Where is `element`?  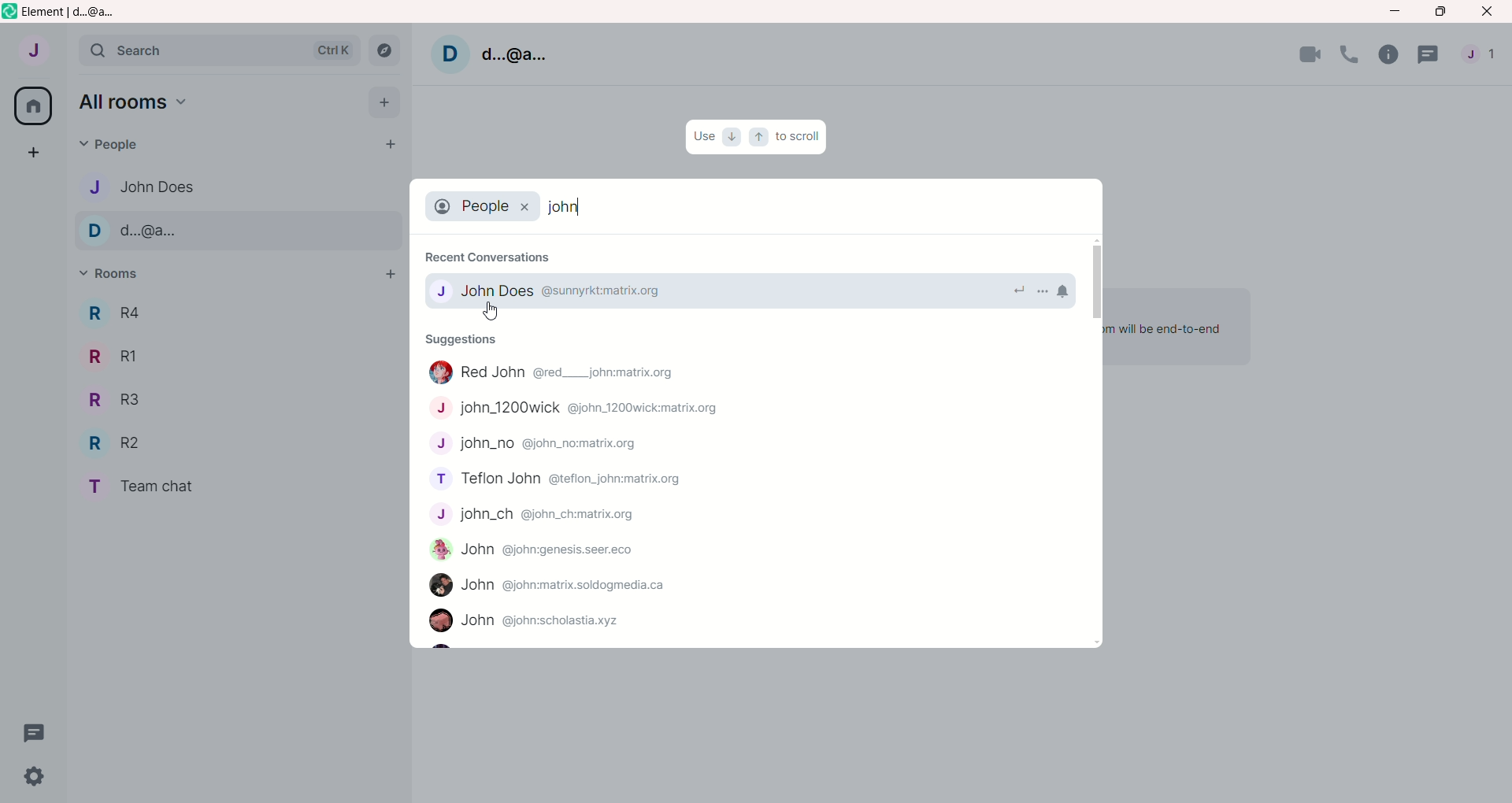 element is located at coordinates (78, 13).